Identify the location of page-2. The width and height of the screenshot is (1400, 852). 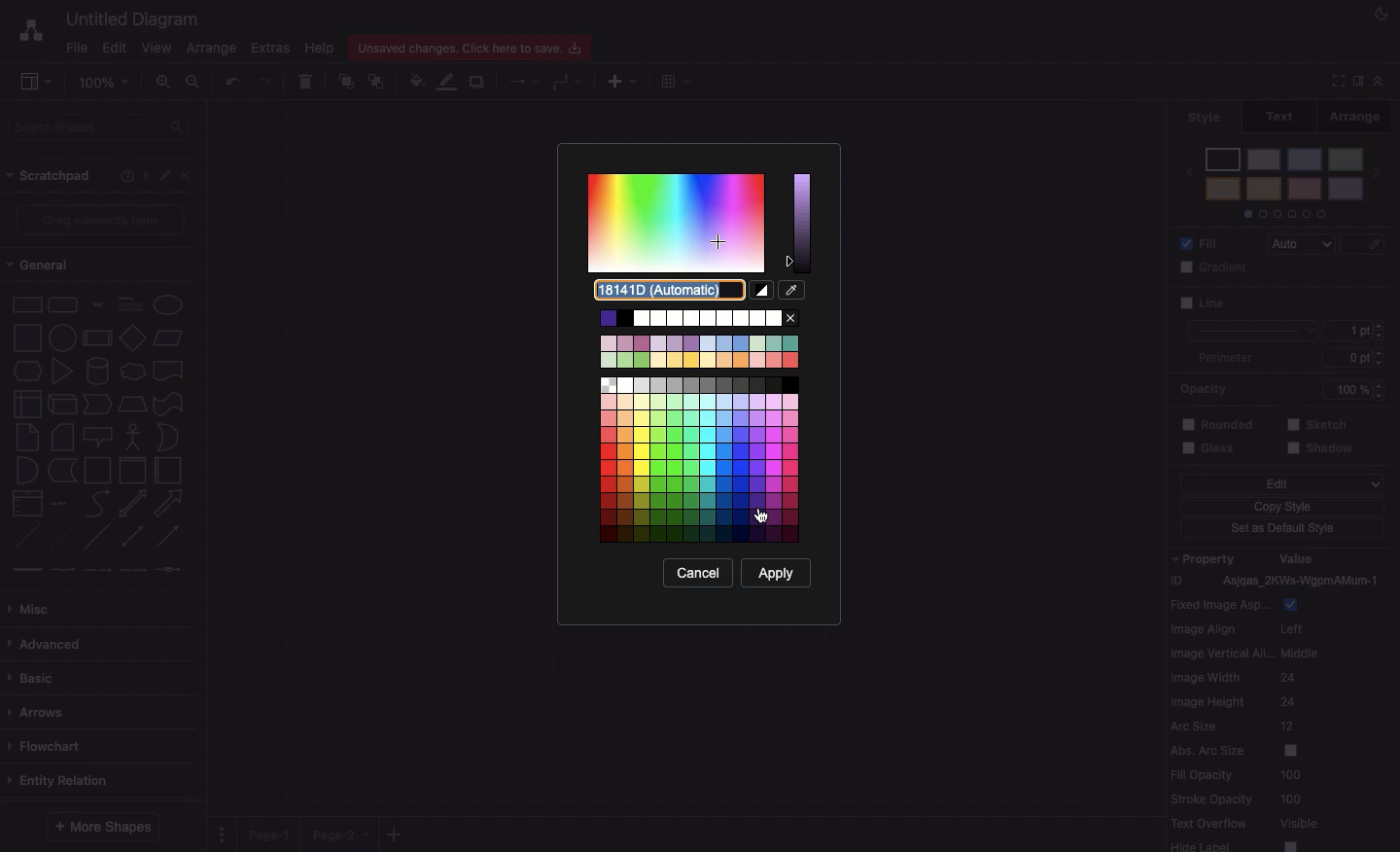
(342, 834).